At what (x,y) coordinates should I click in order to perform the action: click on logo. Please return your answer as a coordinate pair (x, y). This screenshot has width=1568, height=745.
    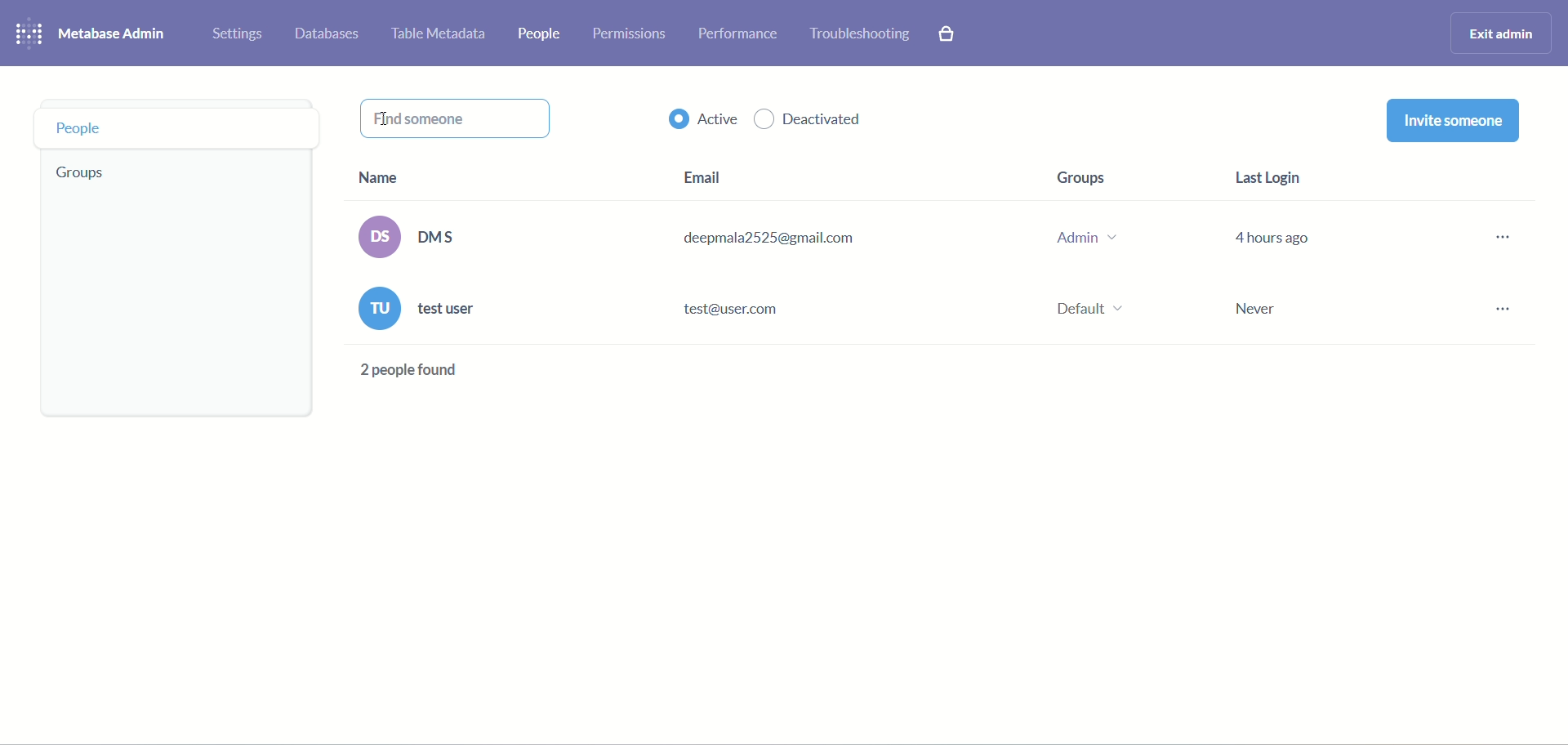
    Looking at the image, I should click on (28, 35).